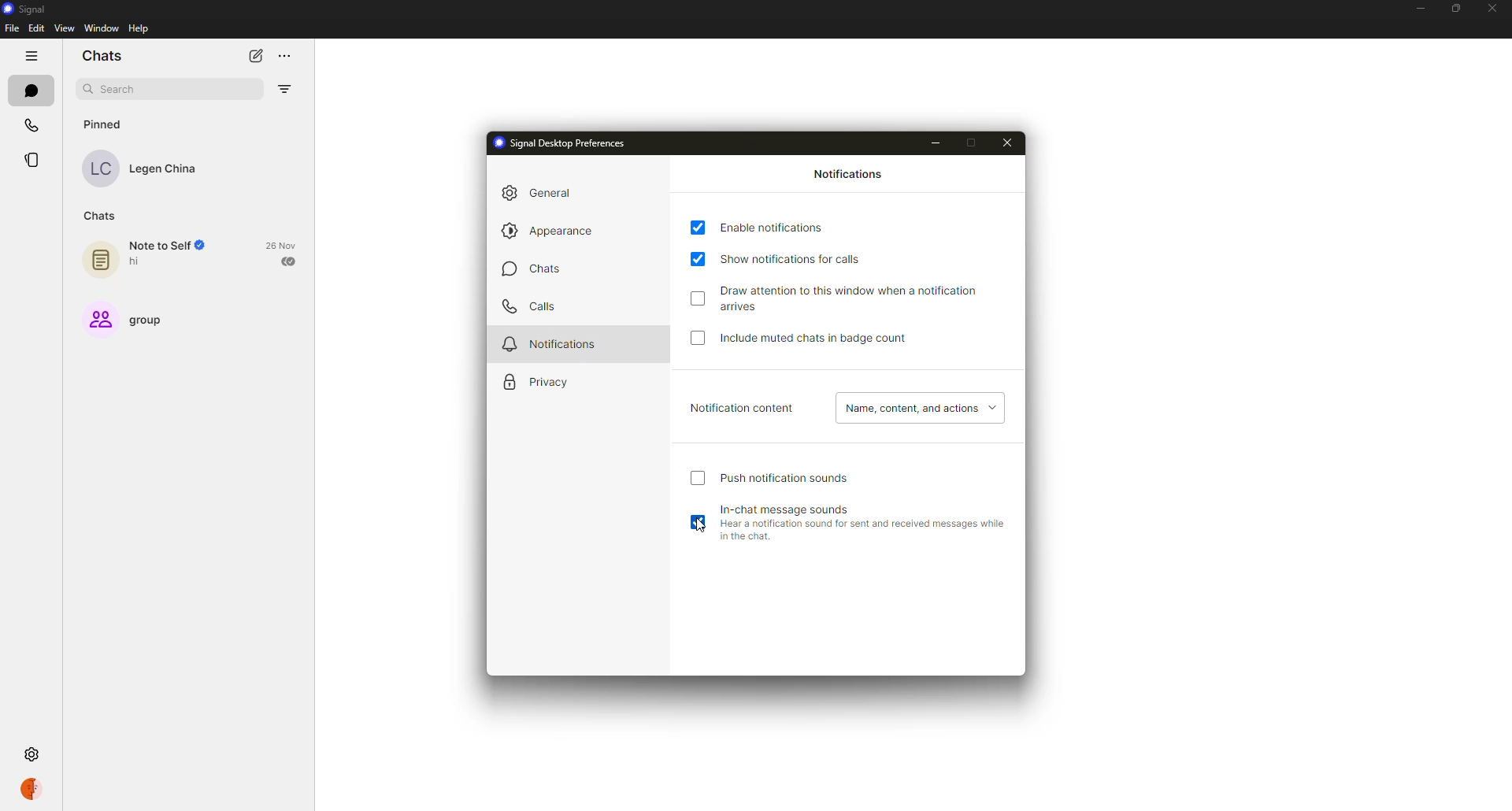 This screenshot has height=811, width=1512. What do you see at coordinates (539, 380) in the screenshot?
I see `privacy` at bounding box center [539, 380].